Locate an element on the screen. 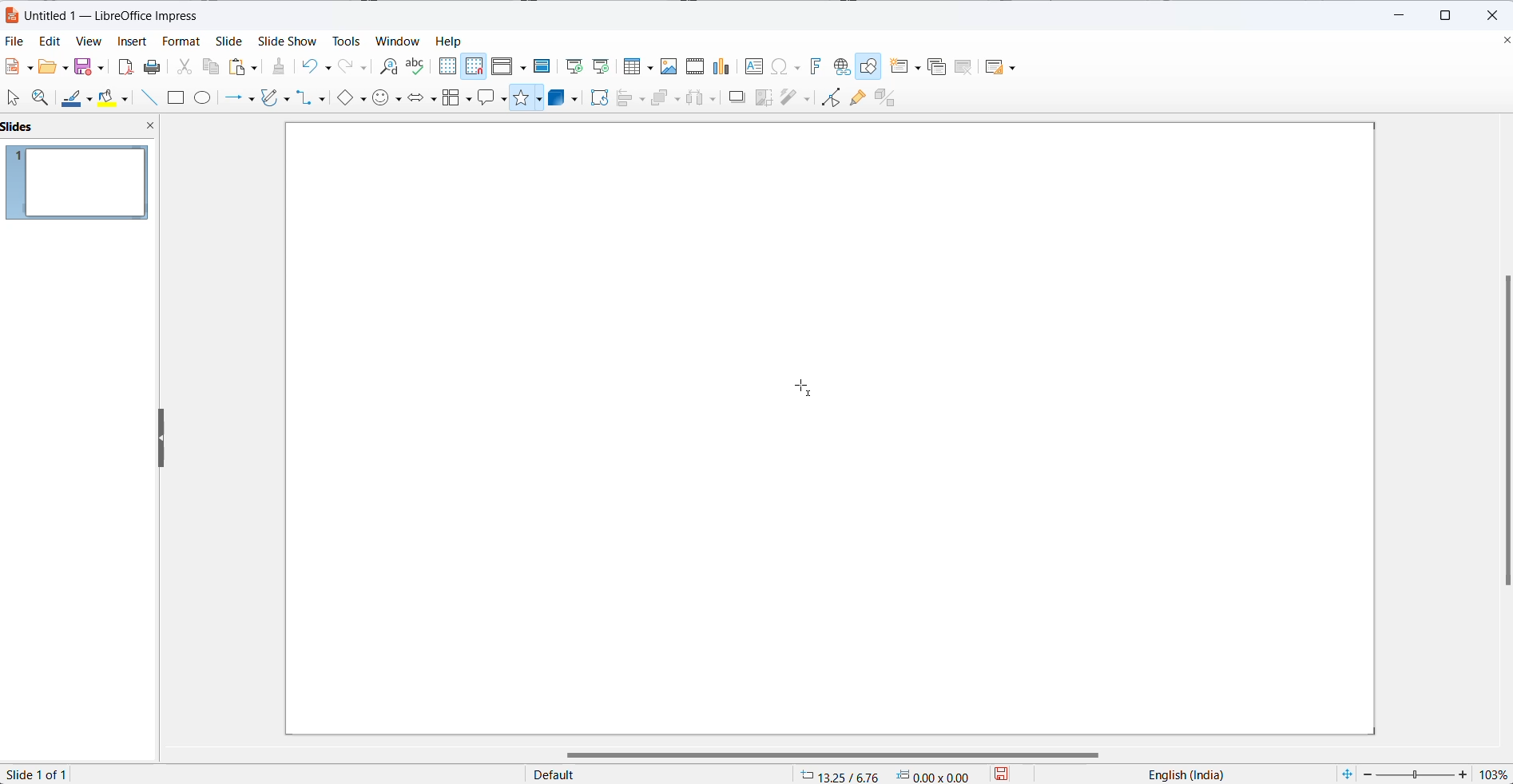 The image size is (1513, 784). tools is located at coordinates (344, 39).